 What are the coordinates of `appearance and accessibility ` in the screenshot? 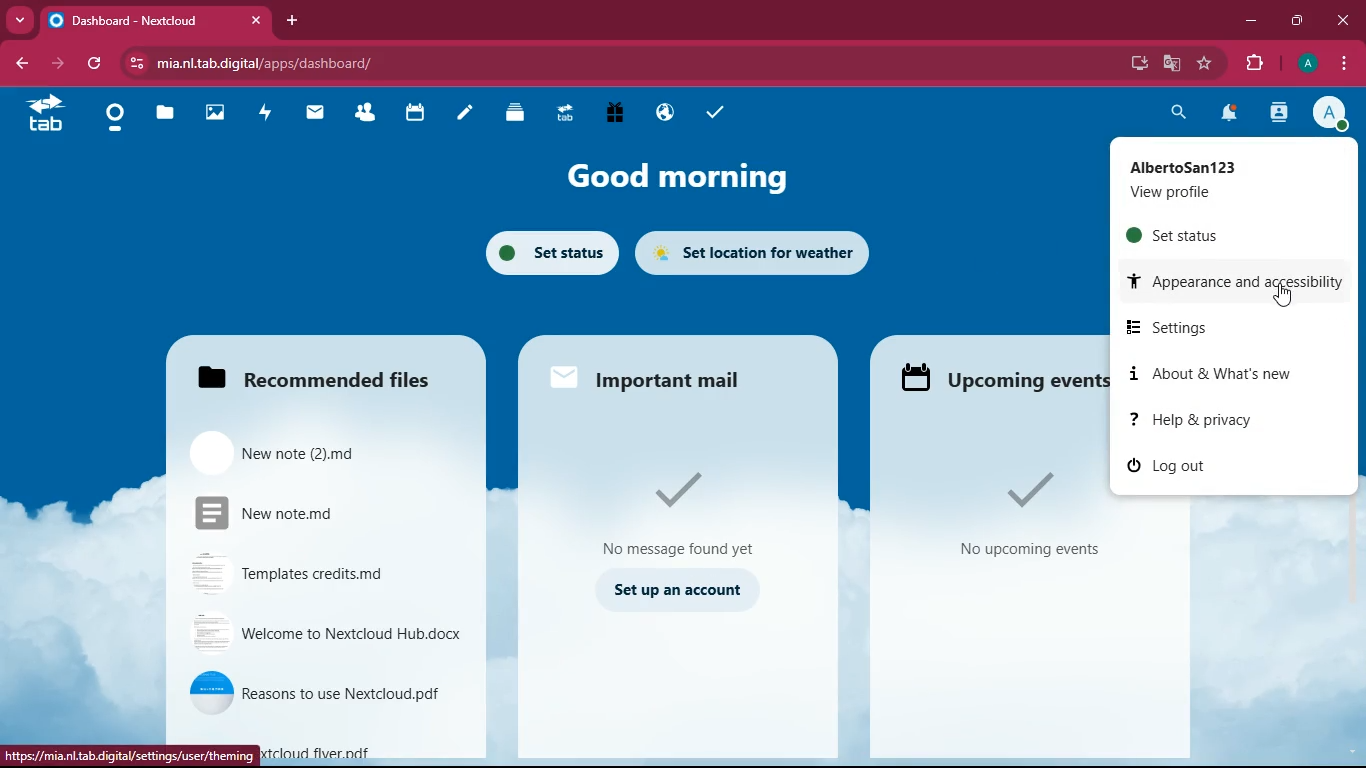 It's located at (1239, 284).